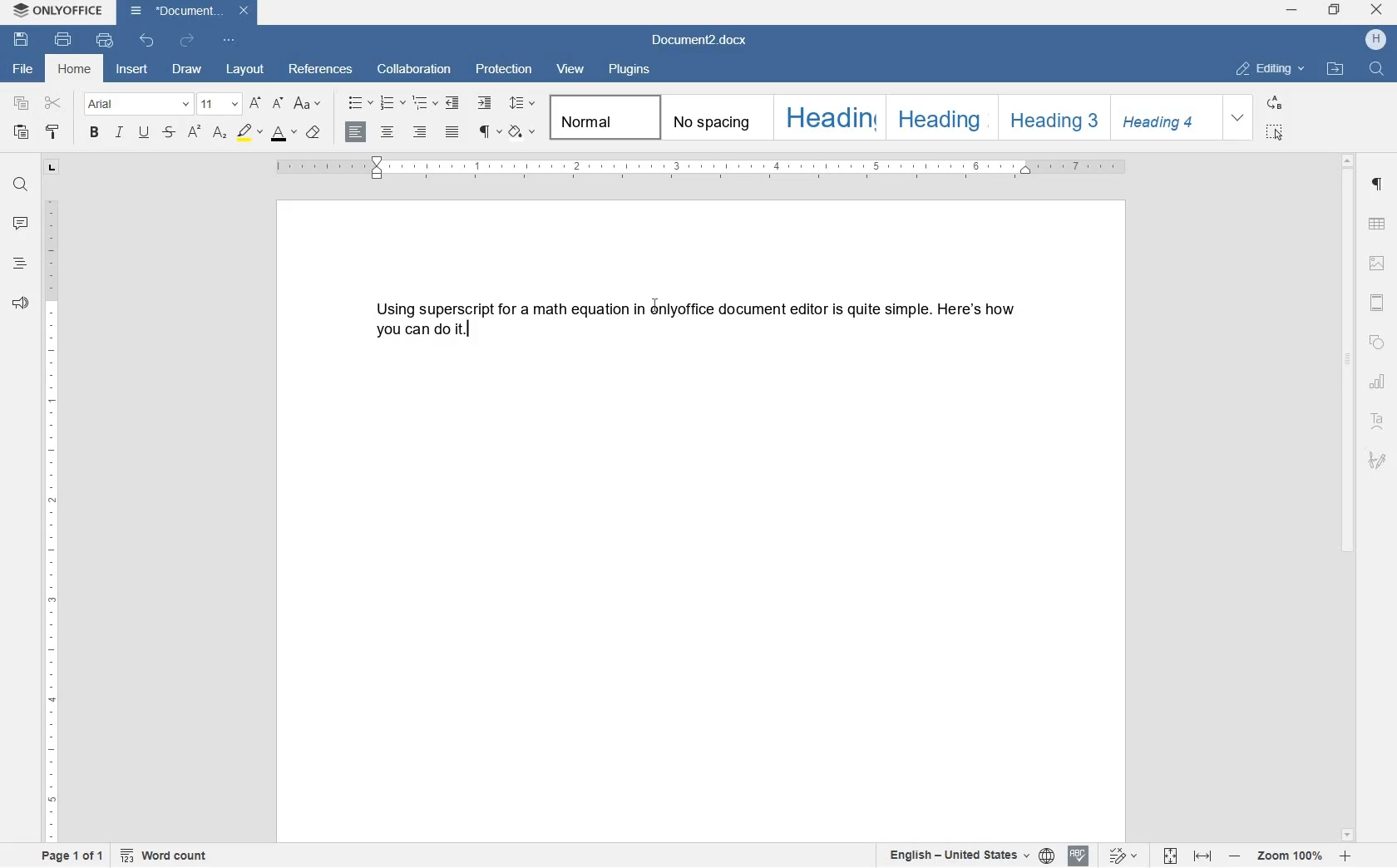 This screenshot has width=1397, height=868. What do you see at coordinates (695, 318) in the screenshot?
I see `Using superscript for a math equation in onlyoffice document editor is quite simple. Here's how you can do it` at bounding box center [695, 318].